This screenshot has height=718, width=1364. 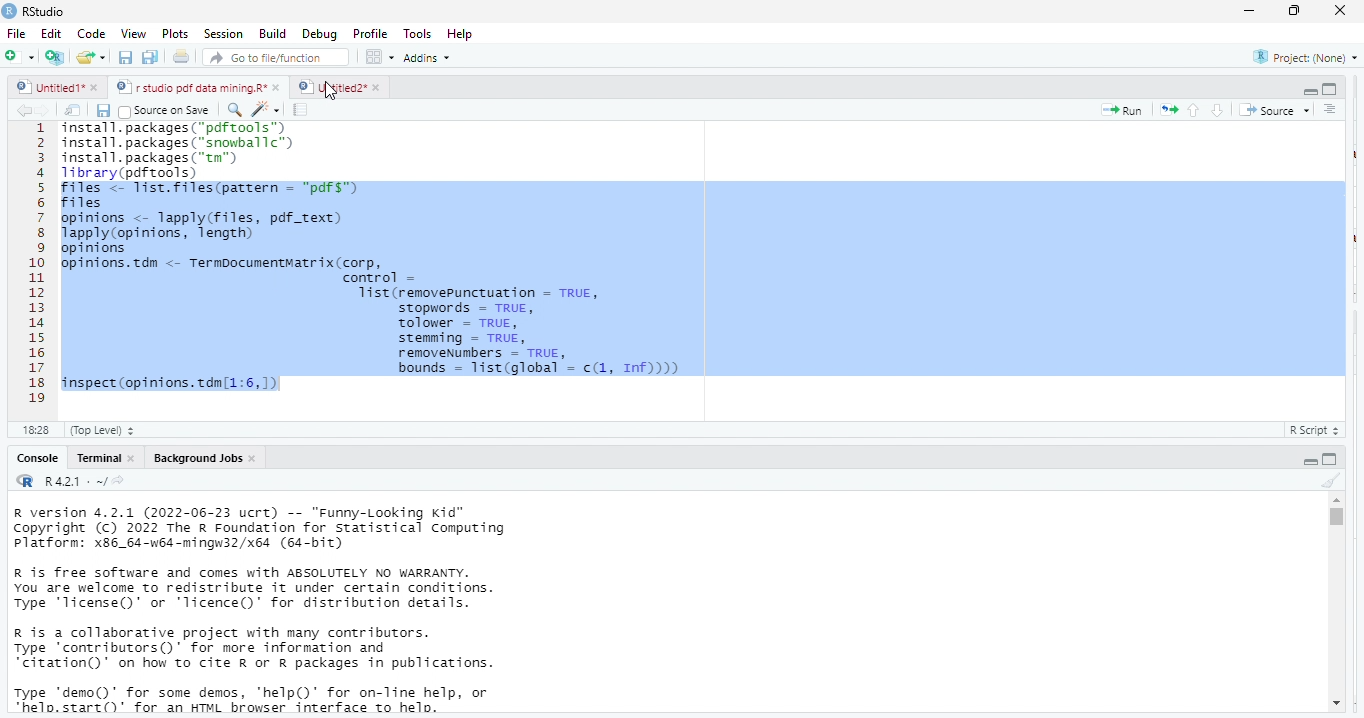 What do you see at coordinates (1335, 602) in the screenshot?
I see `vertical scroll bar` at bounding box center [1335, 602].